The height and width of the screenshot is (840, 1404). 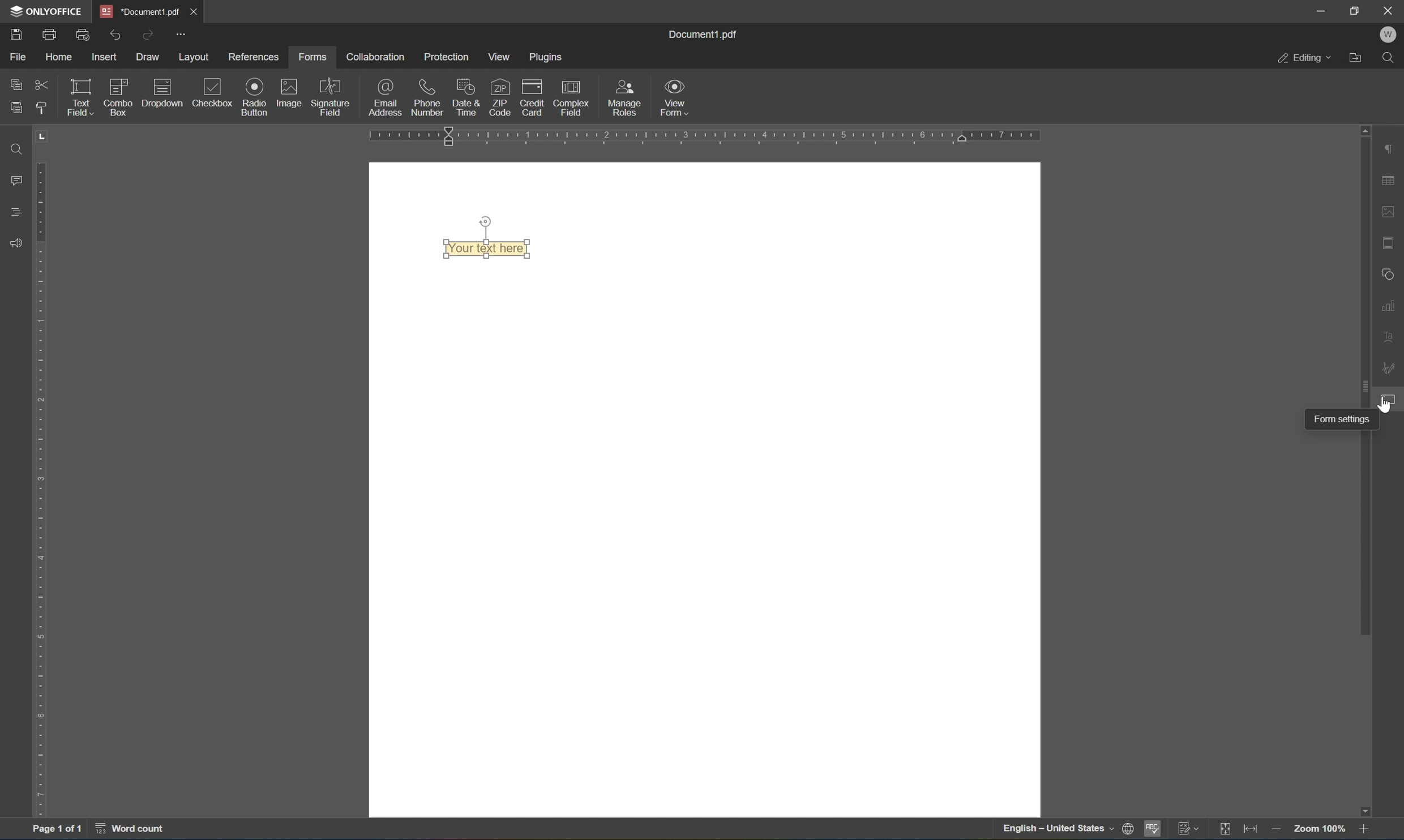 What do you see at coordinates (1222, 832) in the screenshot?
I see `fit to slide` at bounding box center [1222, 832].